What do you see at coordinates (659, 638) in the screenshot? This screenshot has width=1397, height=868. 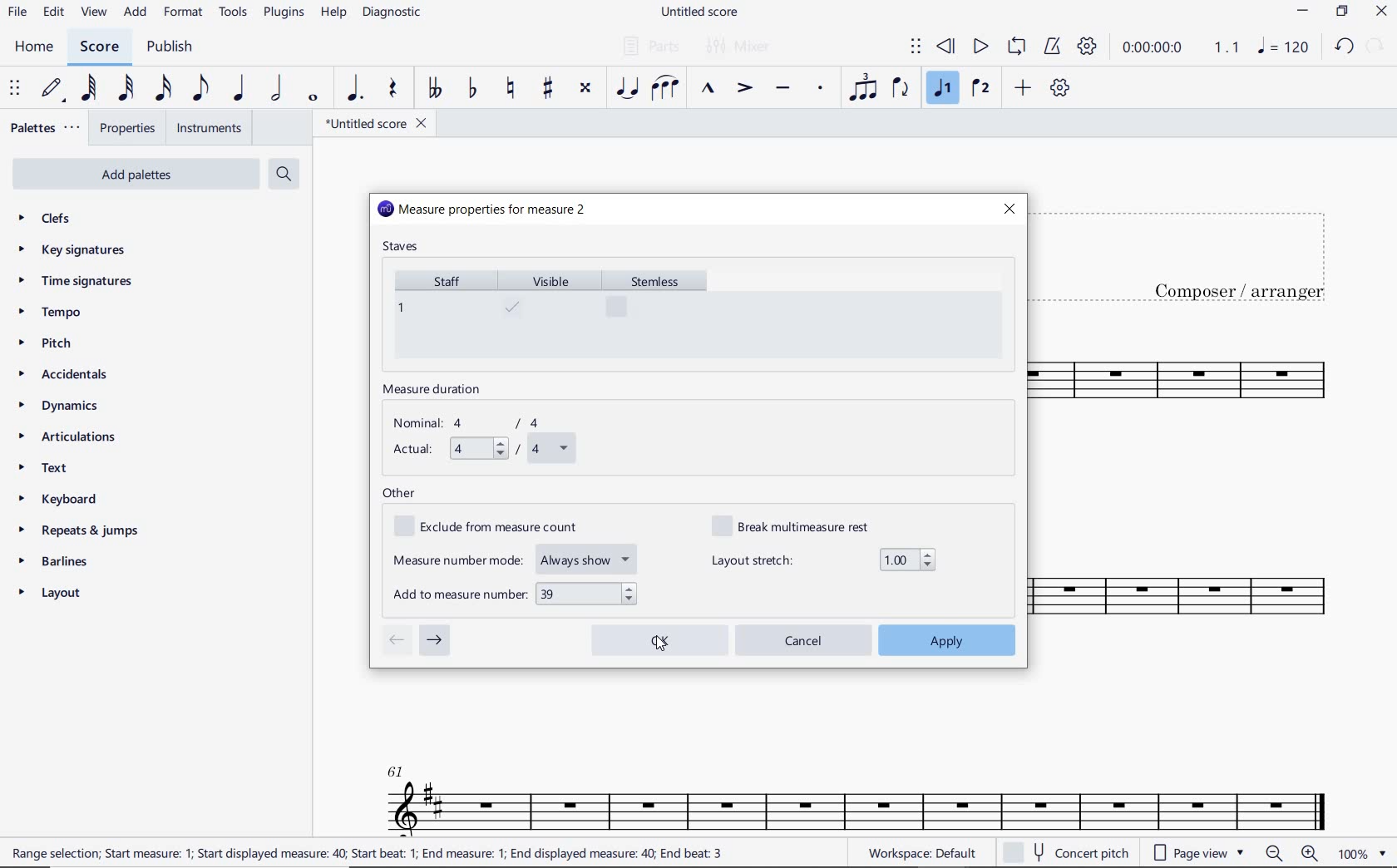 I see `ok` at bounding box center [659, 638].